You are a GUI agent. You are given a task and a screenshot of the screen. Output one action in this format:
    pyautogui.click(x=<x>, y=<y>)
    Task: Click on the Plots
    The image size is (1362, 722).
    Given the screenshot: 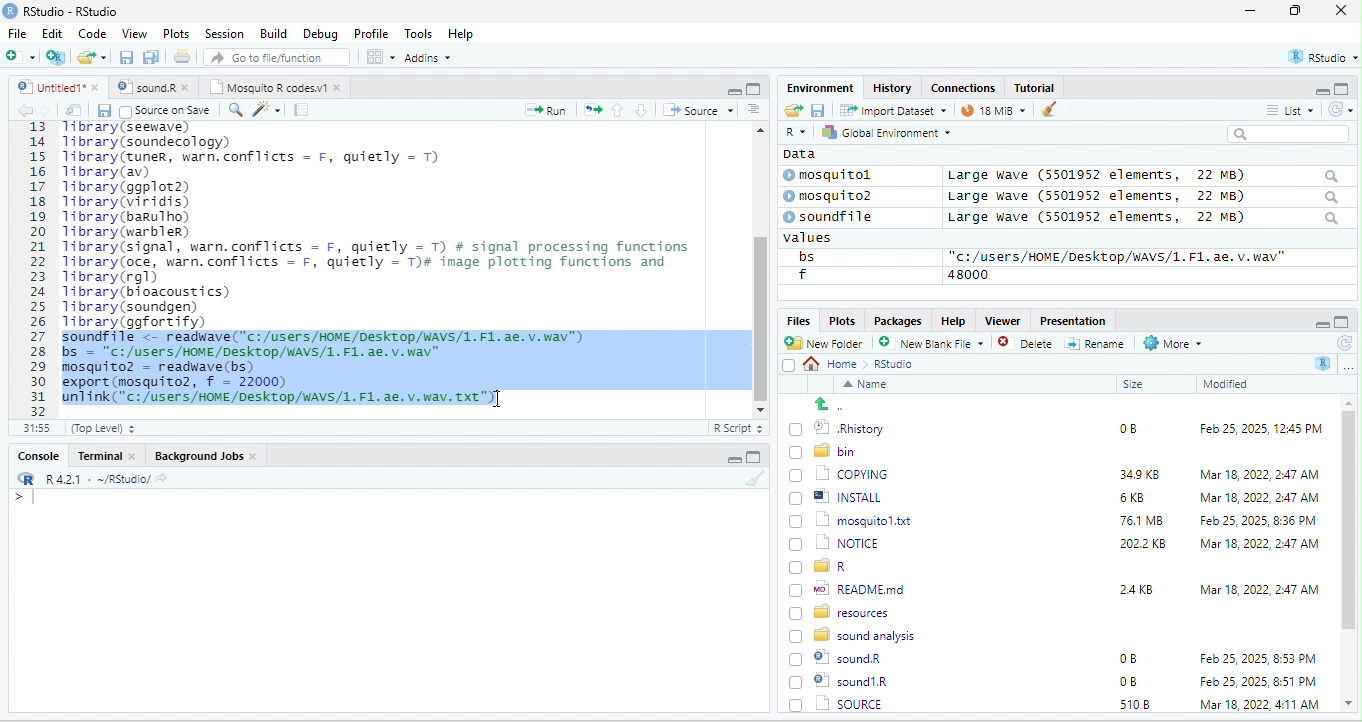 What is the action you would take?
    pyautogui.click(x=842, y=320)
    